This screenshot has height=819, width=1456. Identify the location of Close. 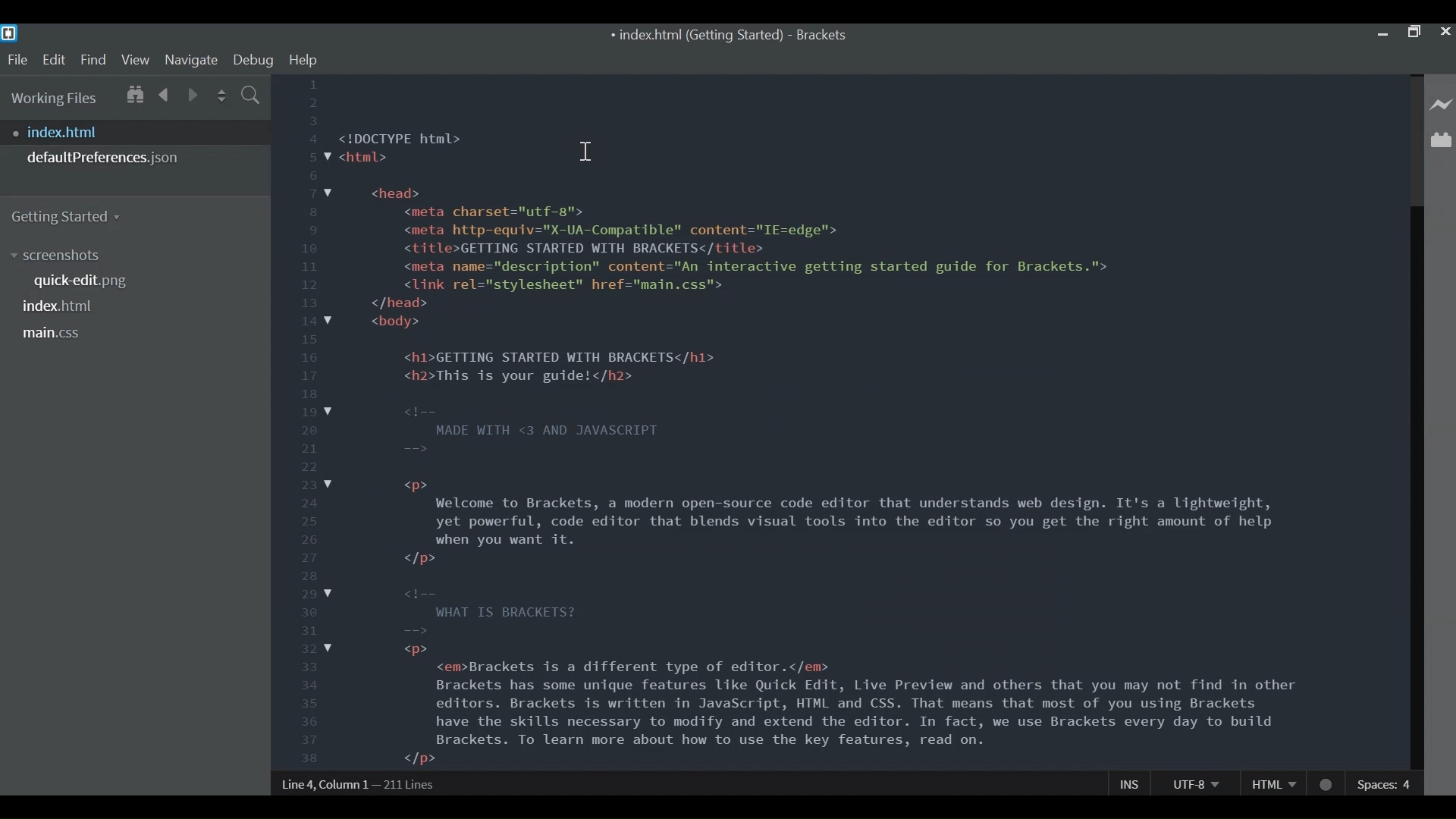
(1445, 32).